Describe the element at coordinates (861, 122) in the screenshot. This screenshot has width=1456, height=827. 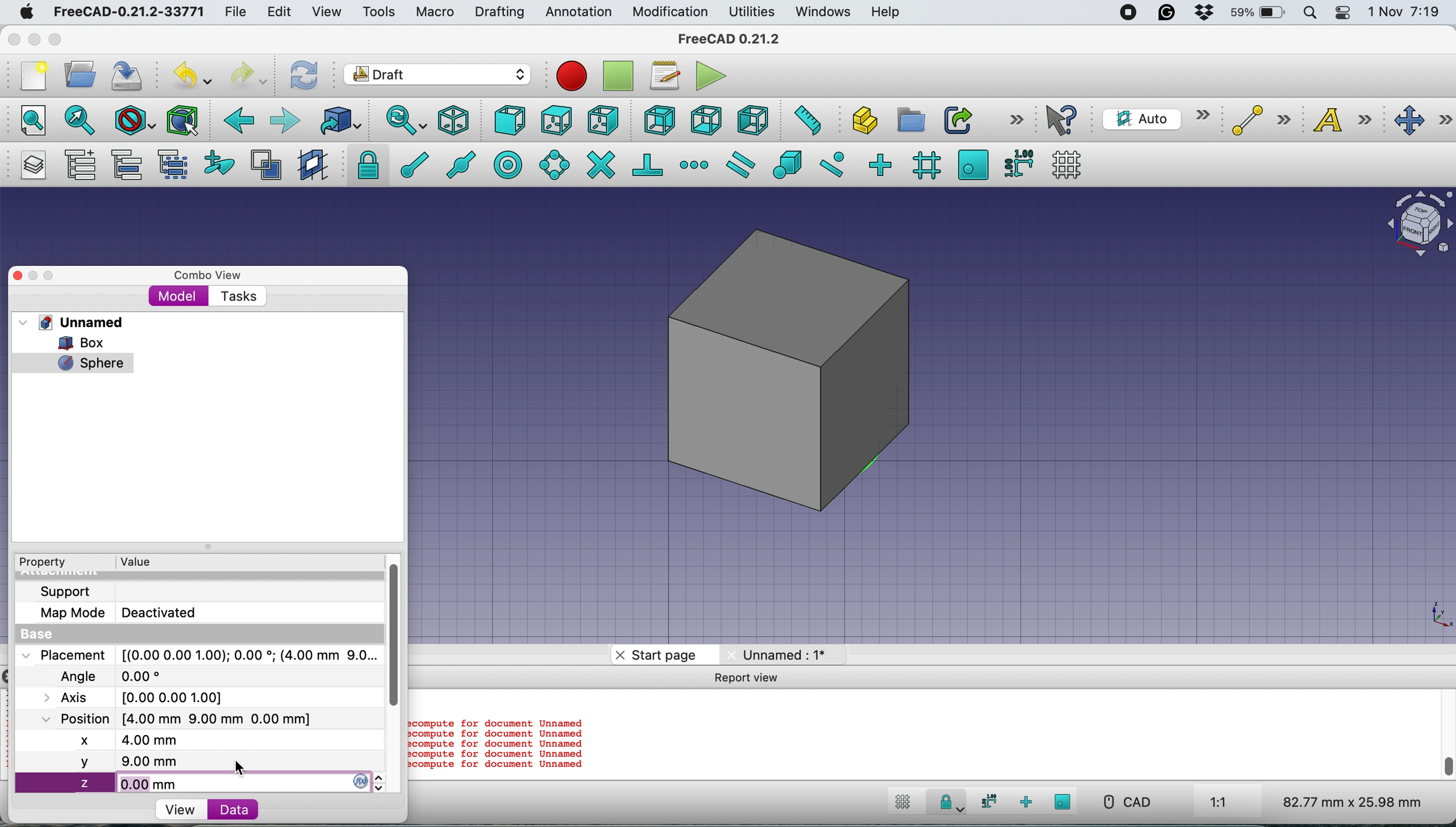
I see `create part` at that location.